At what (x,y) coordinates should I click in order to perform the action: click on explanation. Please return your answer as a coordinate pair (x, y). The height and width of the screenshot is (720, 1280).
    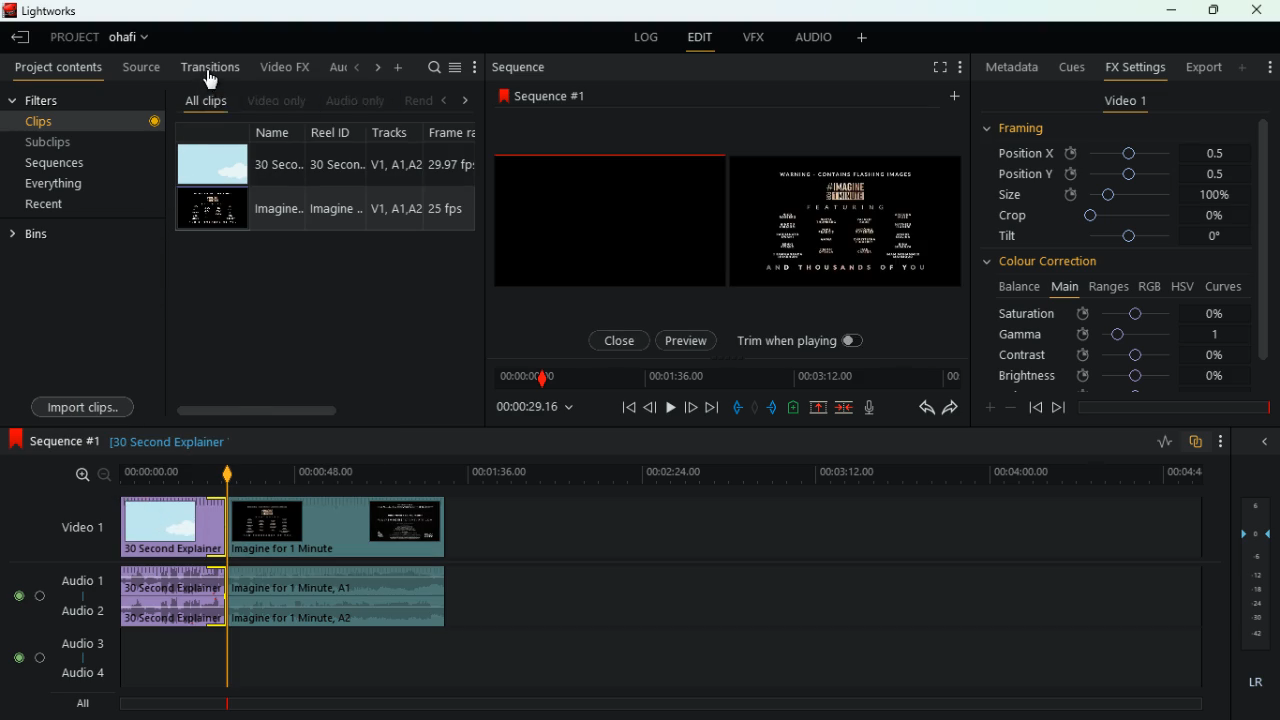
    Looking at the image, I should click on (175, 441).